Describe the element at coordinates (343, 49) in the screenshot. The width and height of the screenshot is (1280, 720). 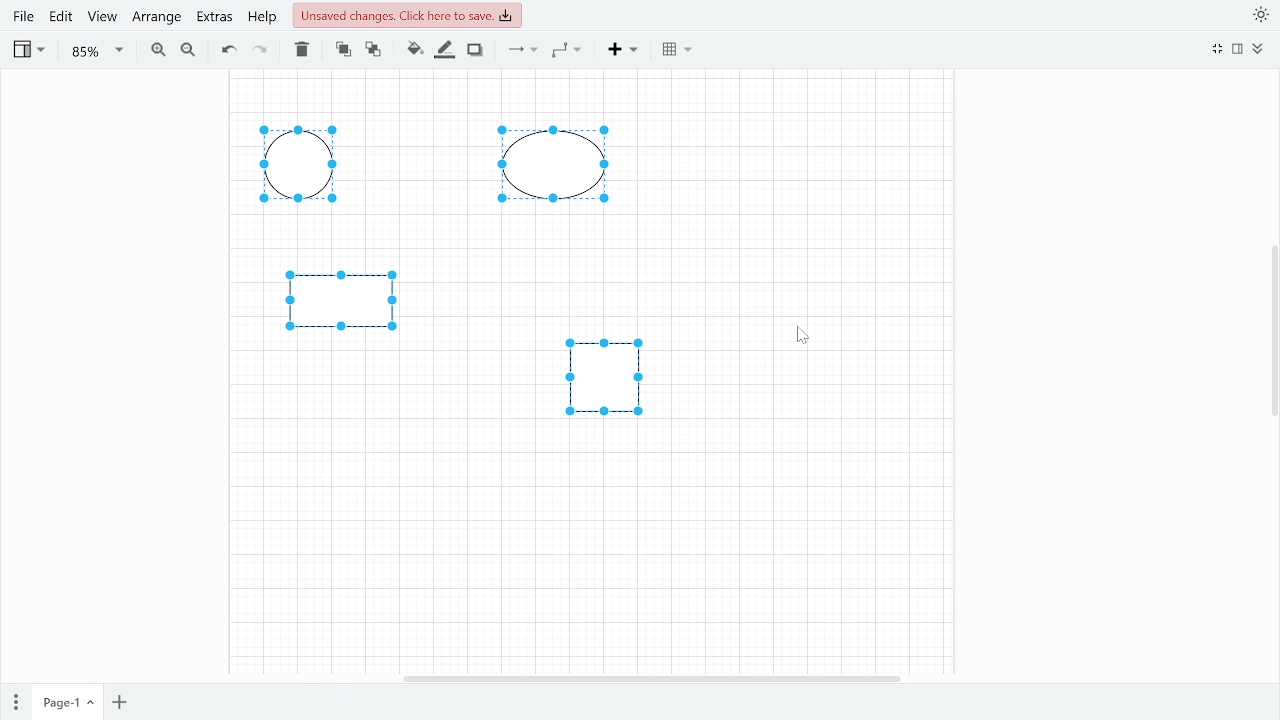
I see `To front` at that location.